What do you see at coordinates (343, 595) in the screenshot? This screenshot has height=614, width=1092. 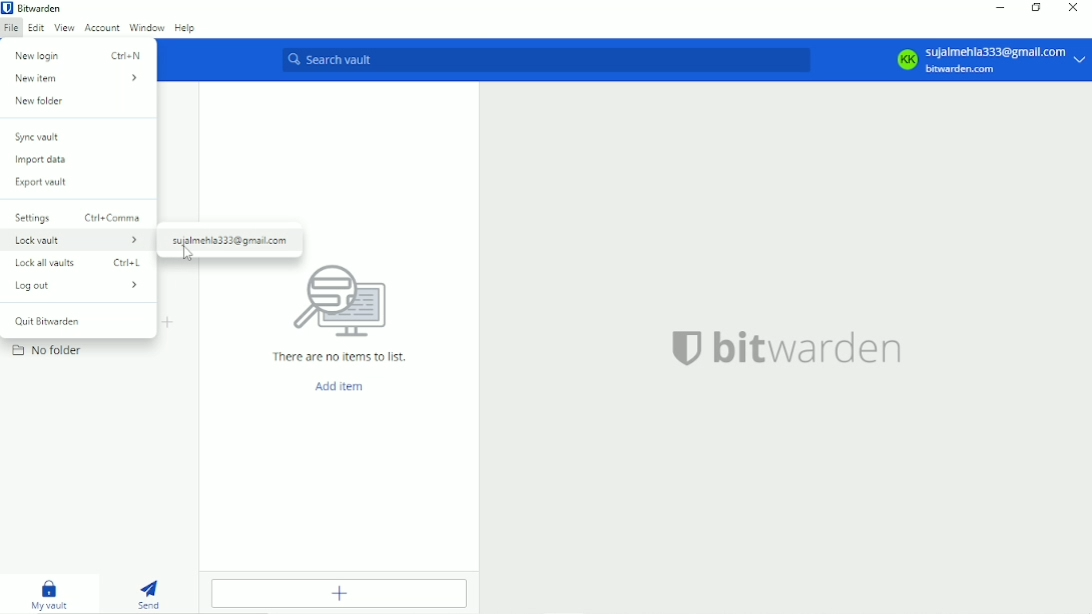 I see `Add item` at bounding box center [343, 595].